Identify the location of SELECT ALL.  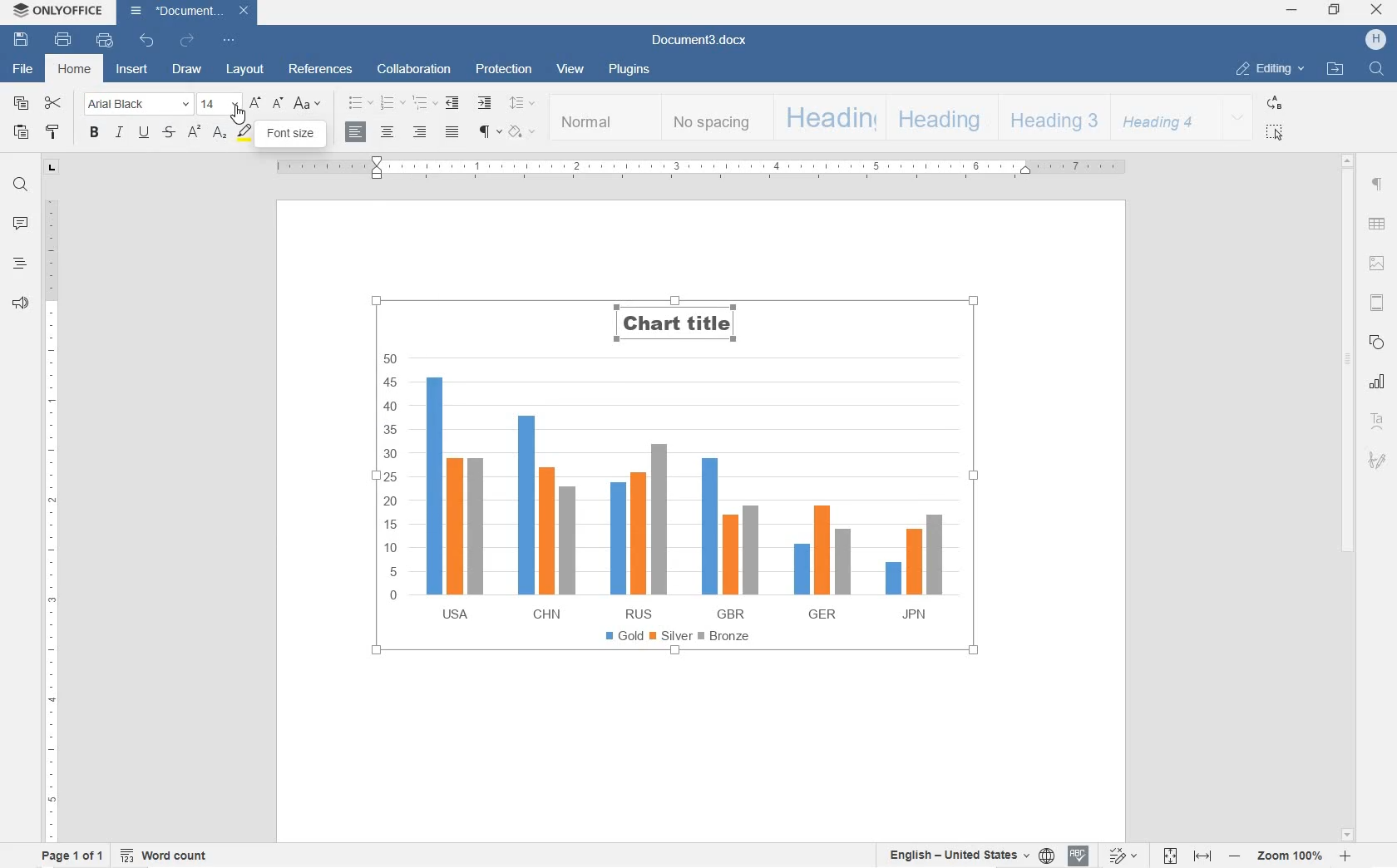
(1274, 133).